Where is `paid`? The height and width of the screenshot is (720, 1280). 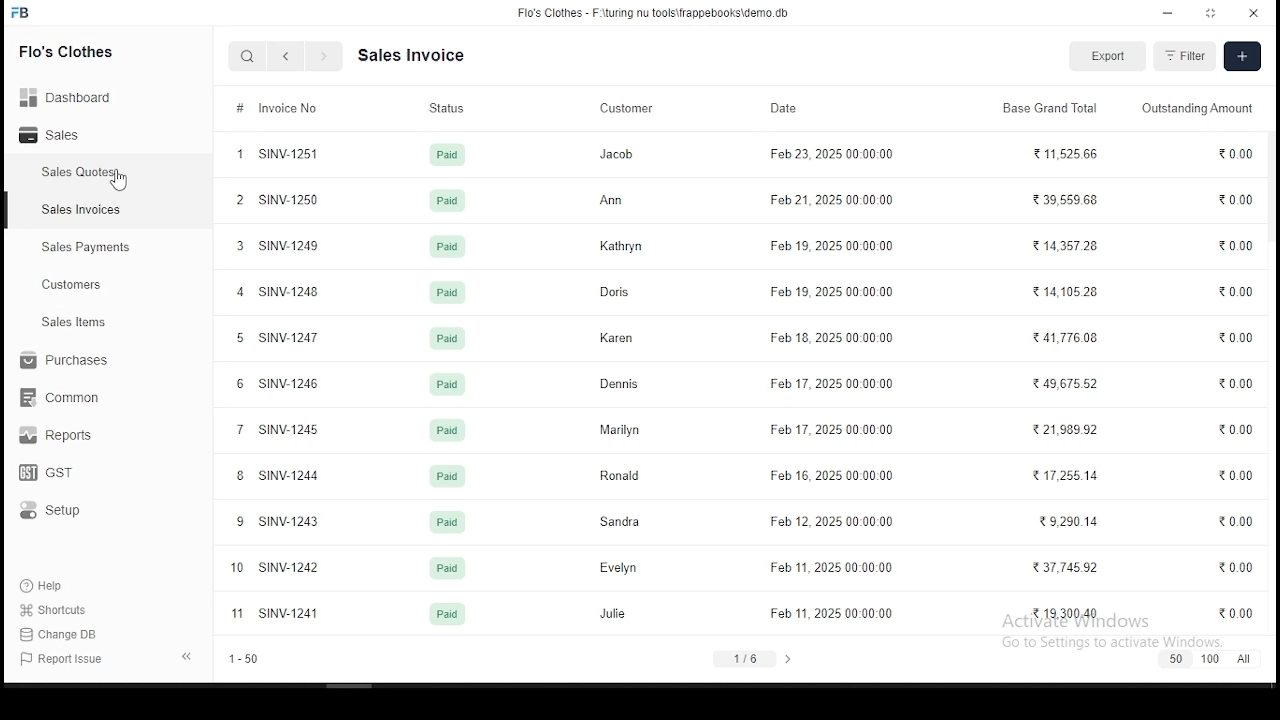
paid is located at coordinates (447, 200).